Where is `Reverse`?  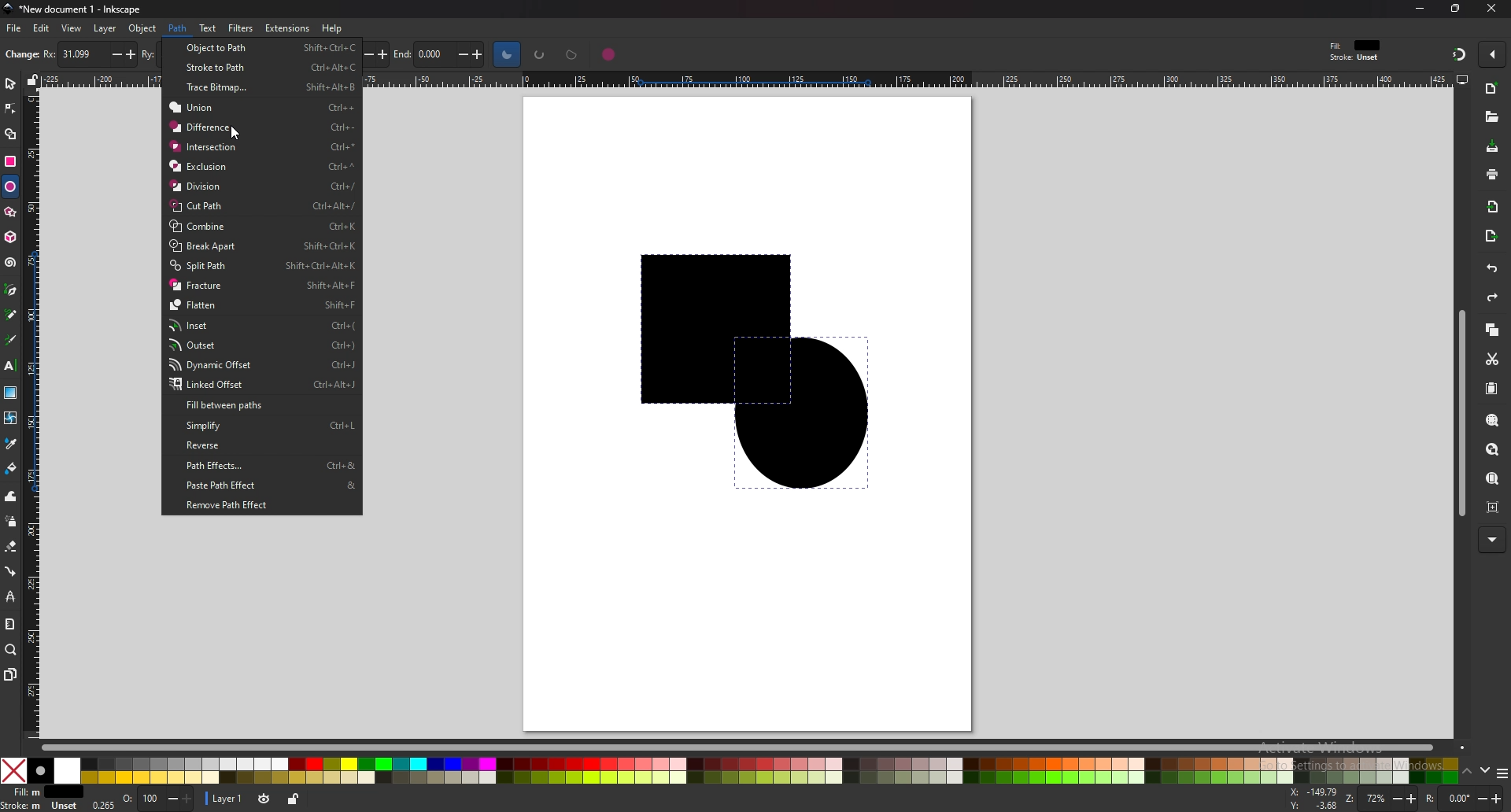
Reverse is located at coordinates (258, 446).